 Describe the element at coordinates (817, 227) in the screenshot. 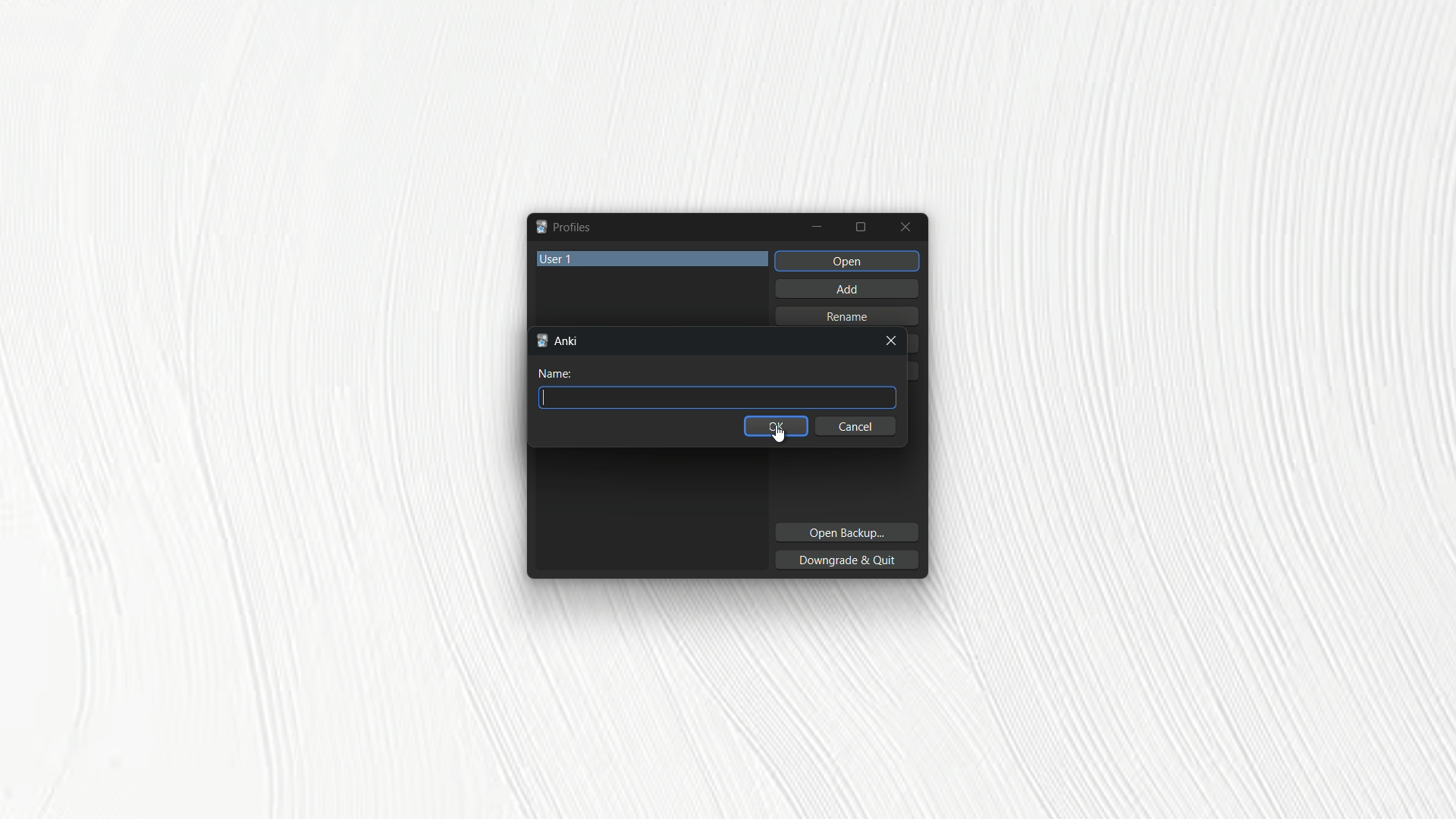

I see `minimize` at that location.